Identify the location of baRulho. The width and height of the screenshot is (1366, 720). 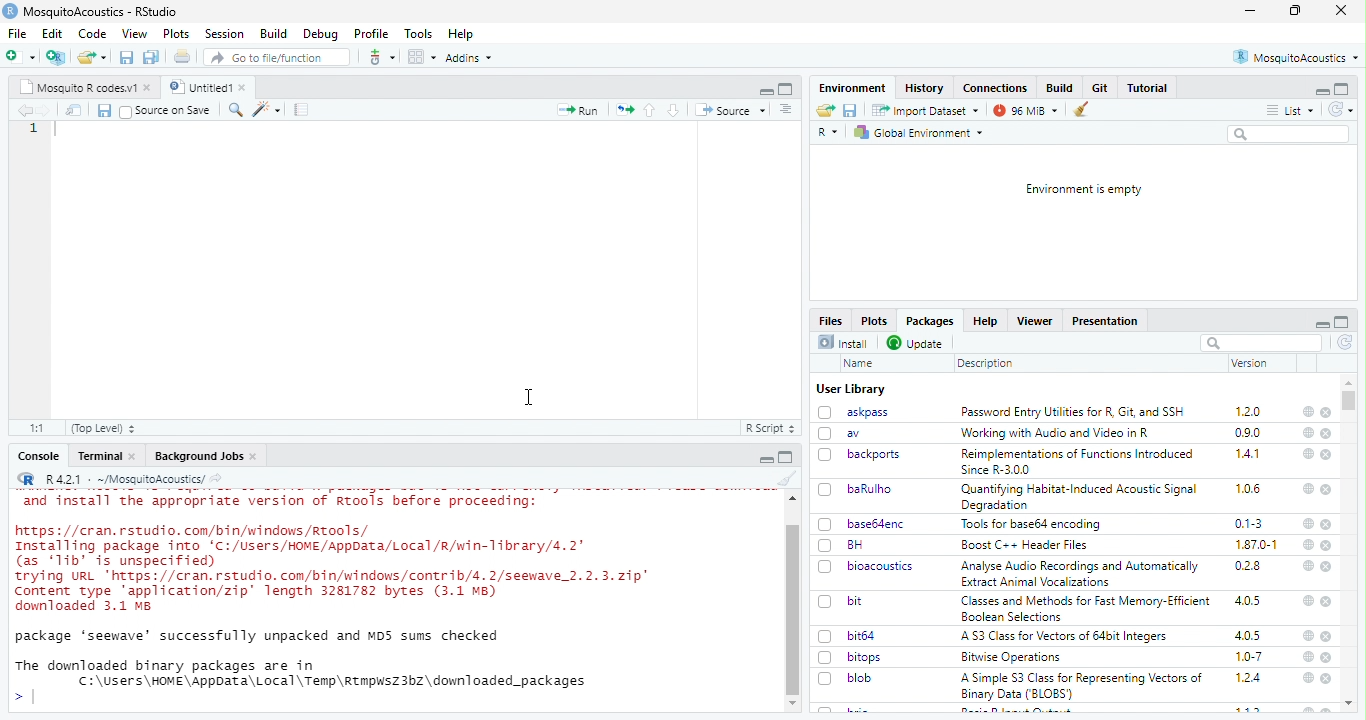
(871, 488).